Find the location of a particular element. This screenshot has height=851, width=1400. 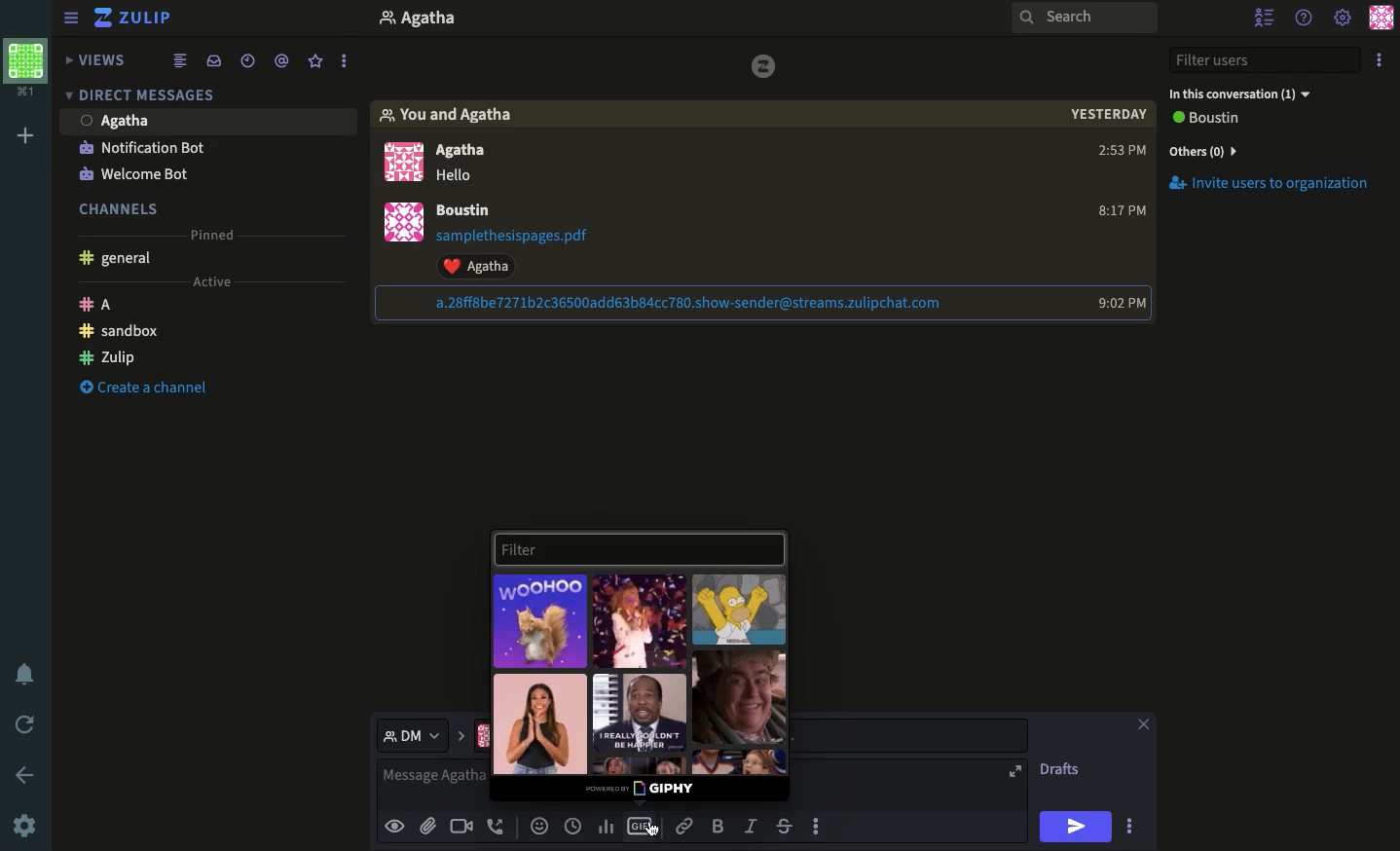

Profile is located at coordinates (400, 224).